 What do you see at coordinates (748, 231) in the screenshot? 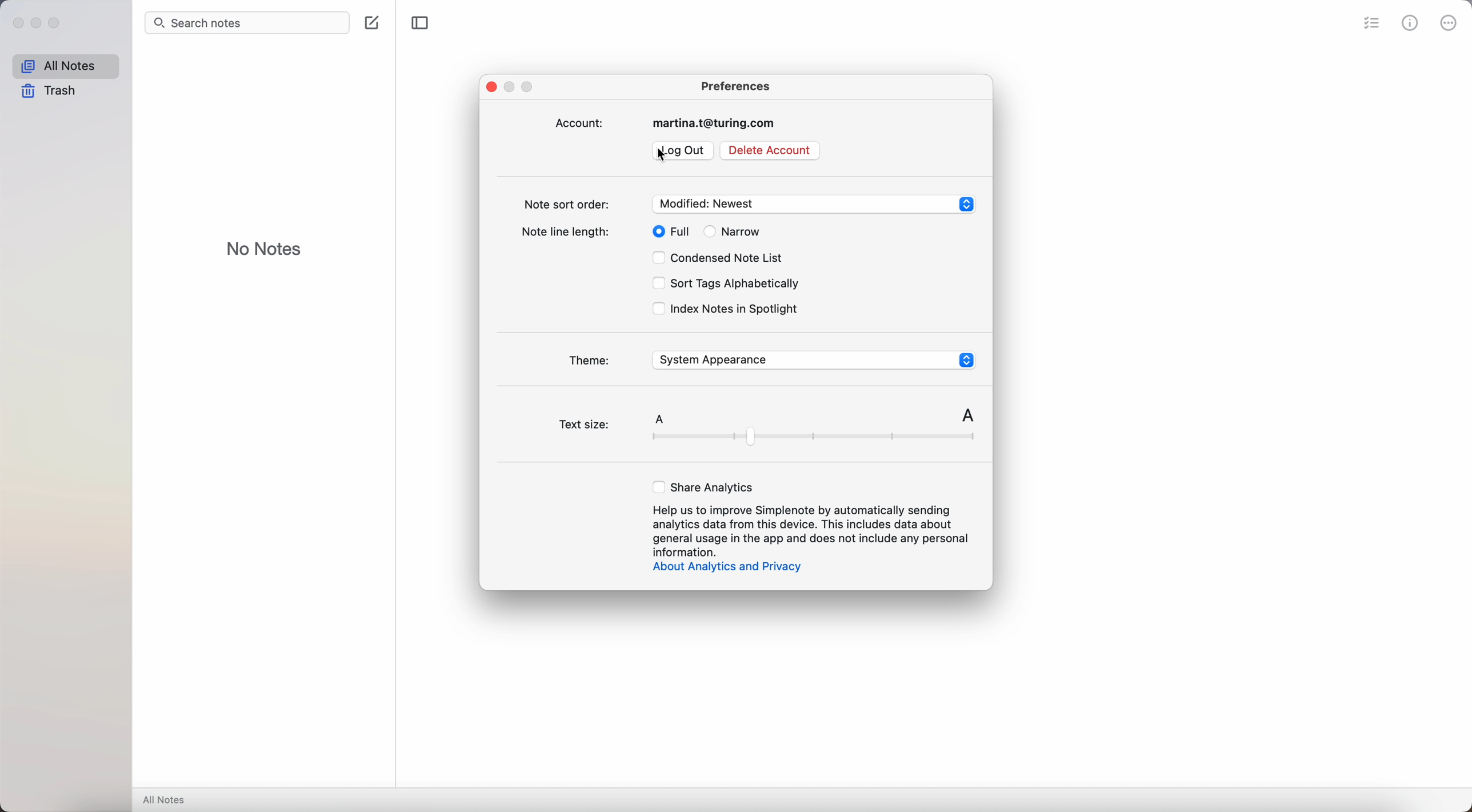
I see `narrow` at bounding box center [748, 231].